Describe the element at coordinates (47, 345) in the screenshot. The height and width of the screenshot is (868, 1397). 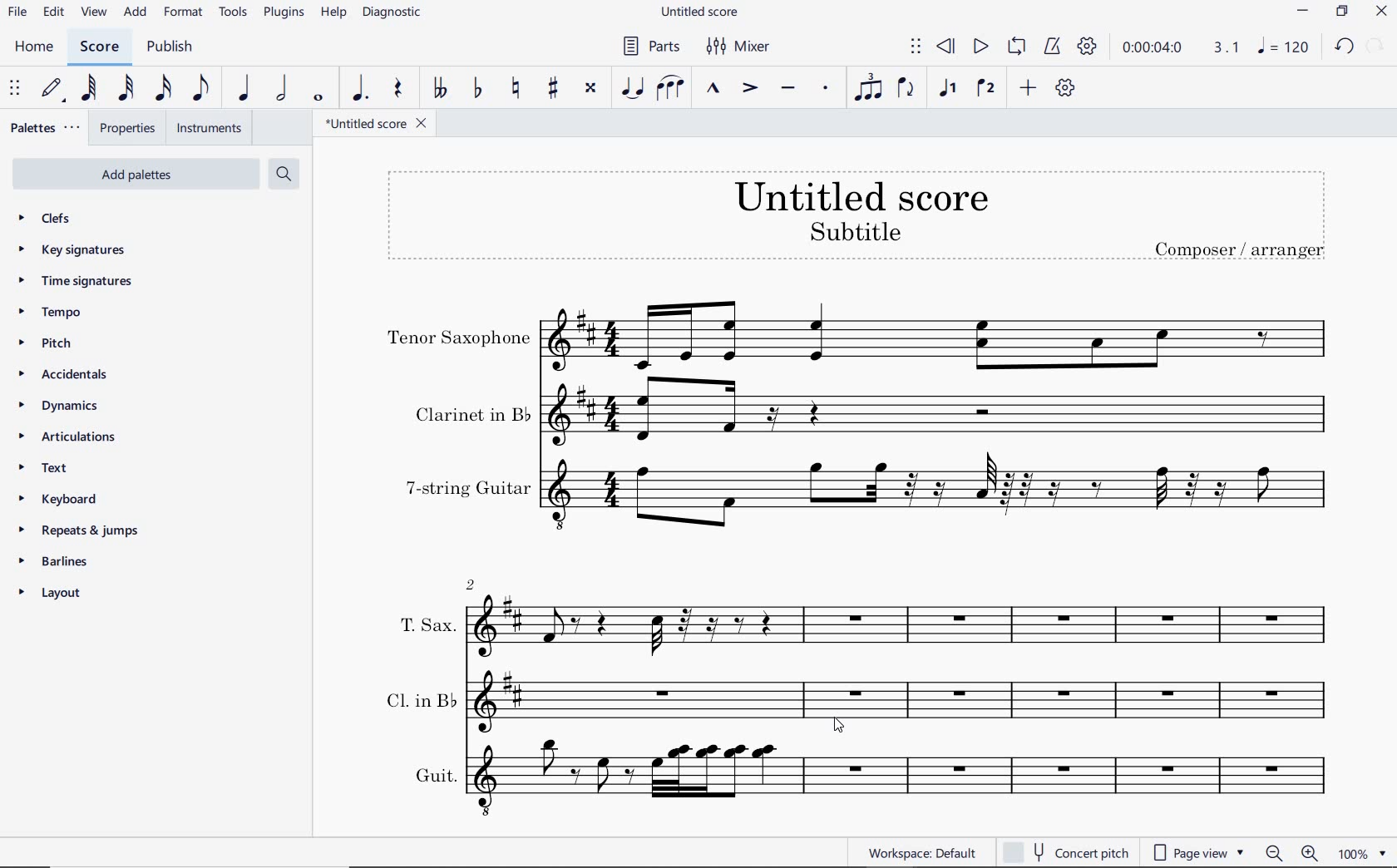
I see `pitch` at that location.